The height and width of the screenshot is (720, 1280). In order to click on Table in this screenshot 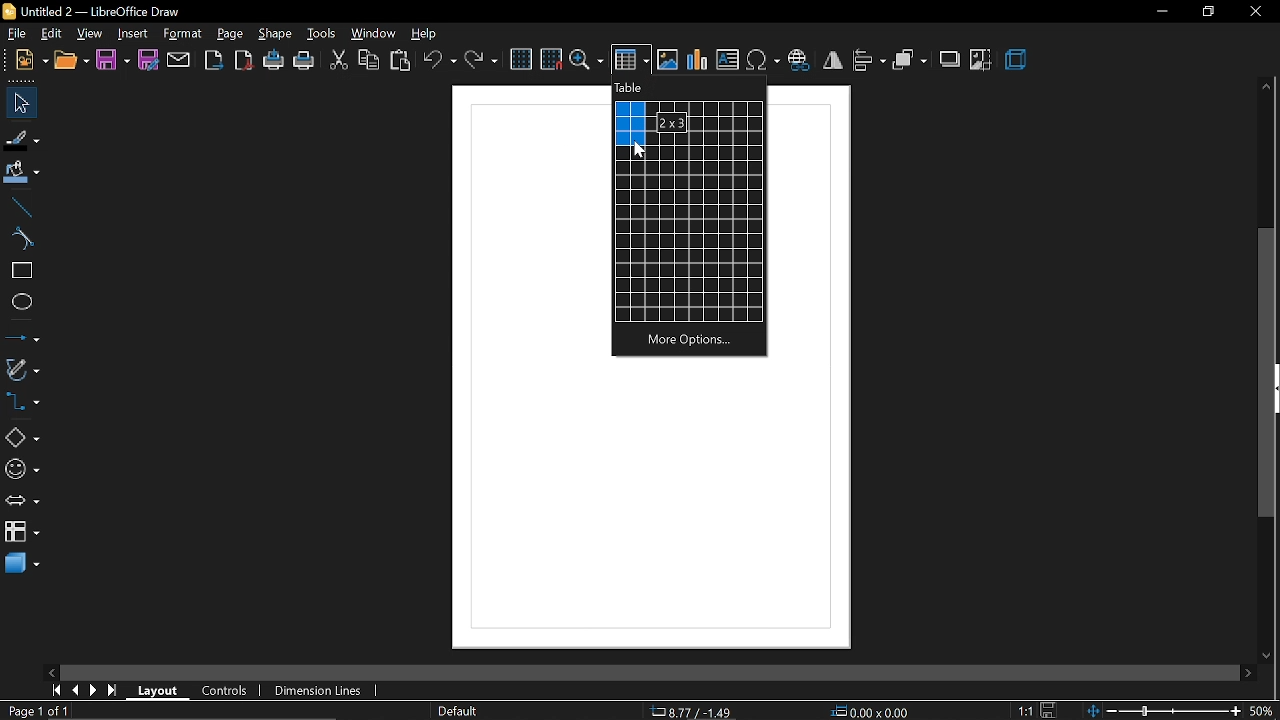, I will do `click(688, 212)`.